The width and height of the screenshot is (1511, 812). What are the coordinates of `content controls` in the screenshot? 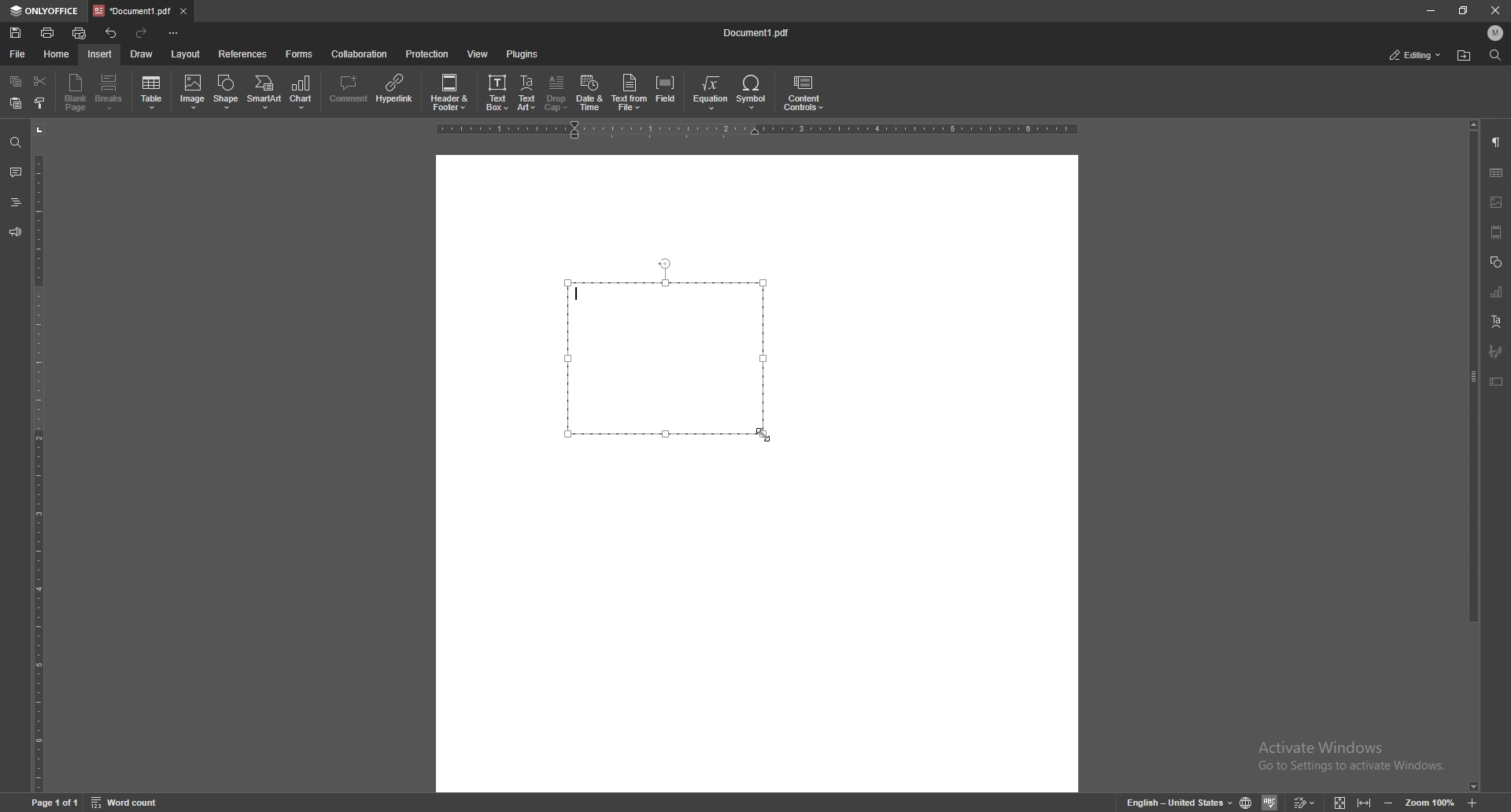 It's located at (803, 94).